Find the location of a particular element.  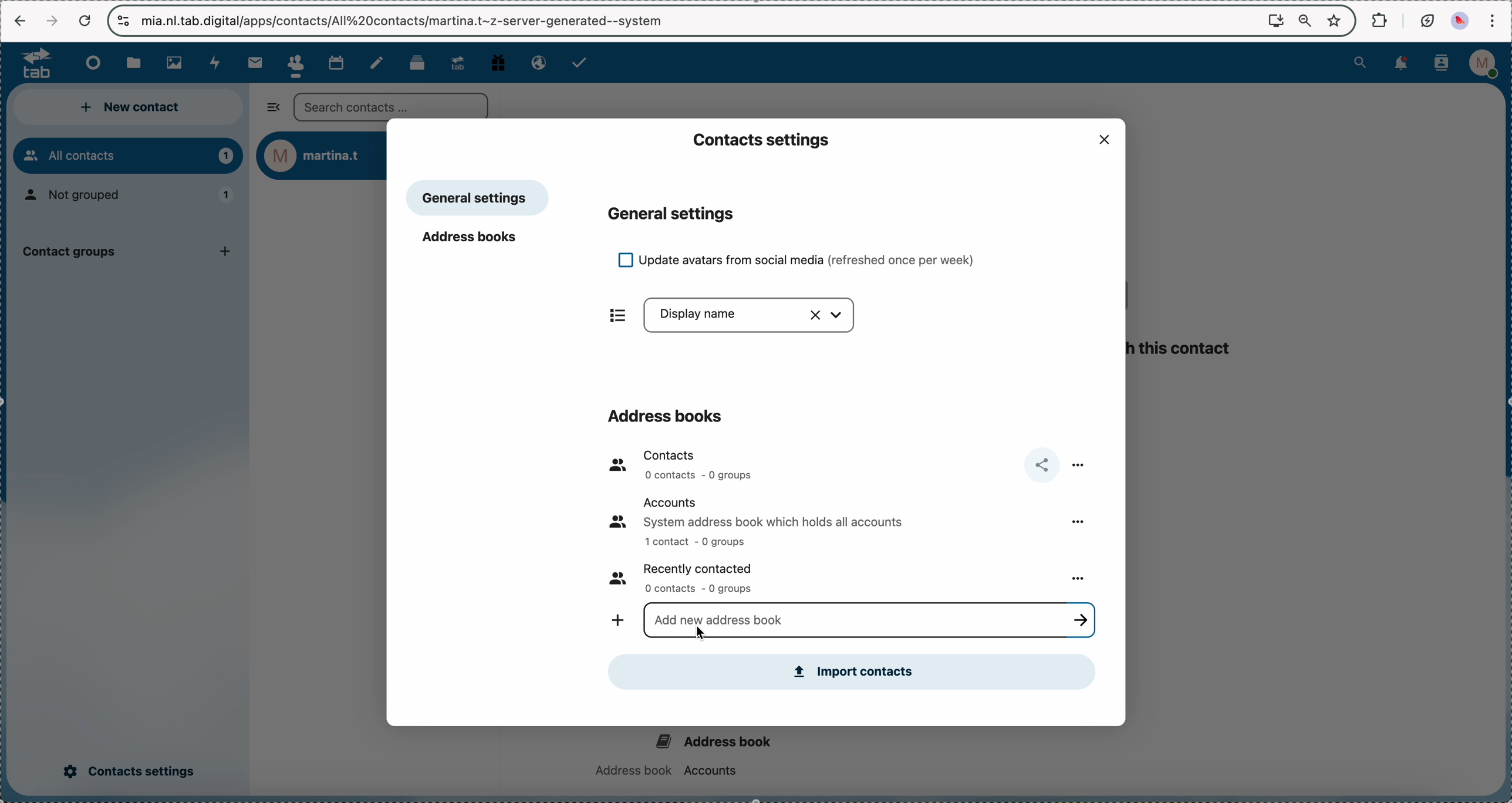

notes is located at coordinates (379, 63).